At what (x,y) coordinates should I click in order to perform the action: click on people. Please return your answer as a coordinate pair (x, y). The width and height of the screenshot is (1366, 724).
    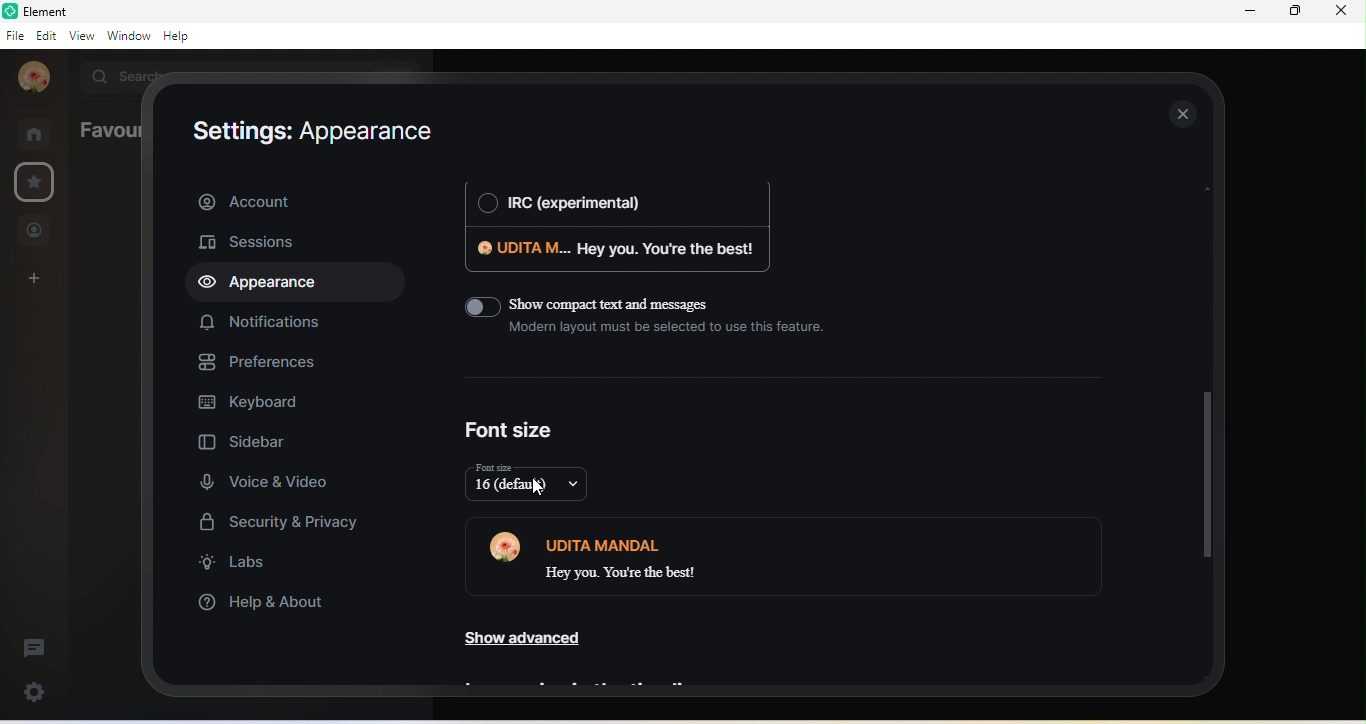
    Looking at the image, I should click on (35, 230).